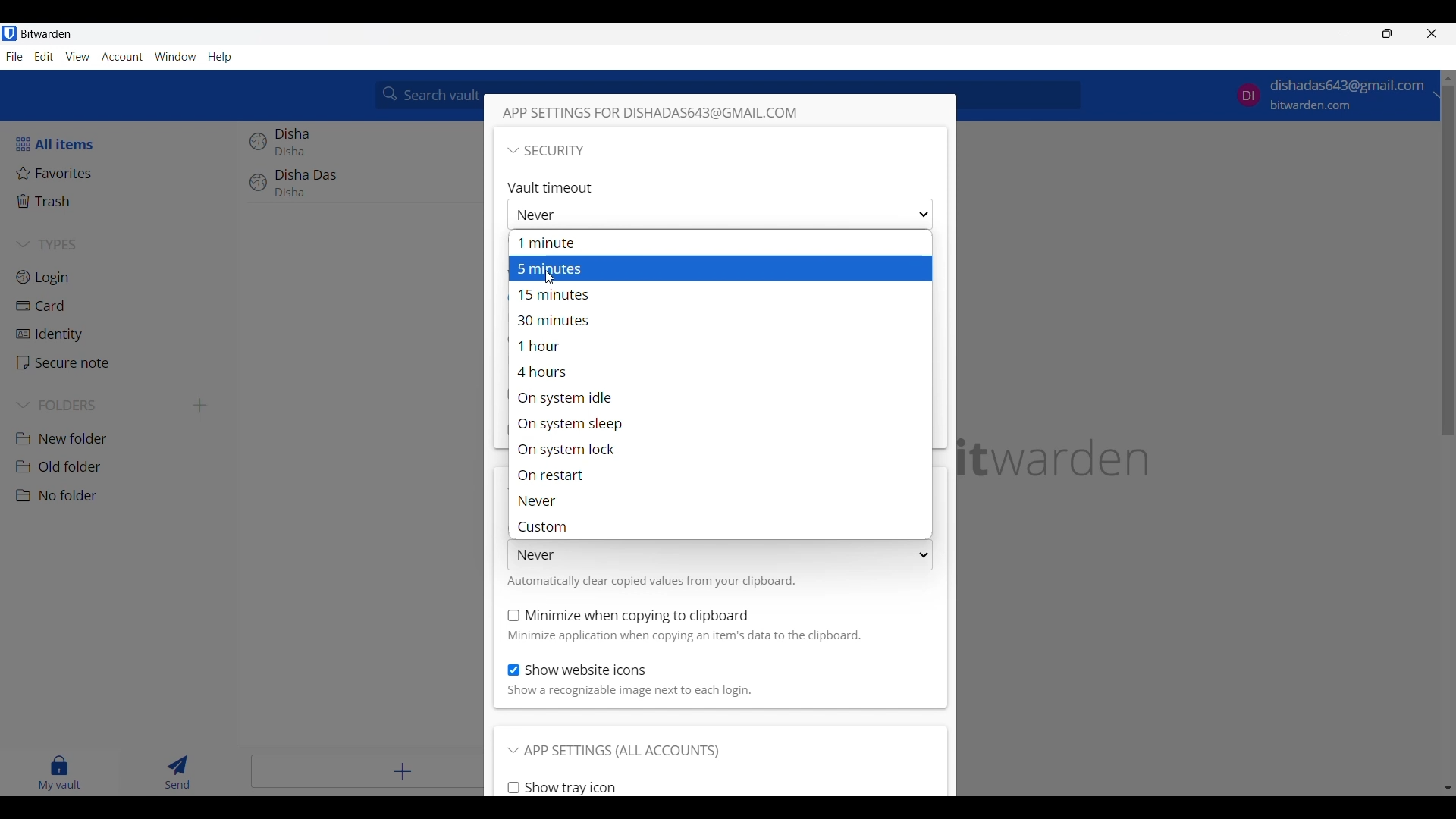 The height and width of the screenshot is (819, 1456). Describe the element at coordinates (686, 636) in the screenshot. I see `Description of above toggle` at that location.